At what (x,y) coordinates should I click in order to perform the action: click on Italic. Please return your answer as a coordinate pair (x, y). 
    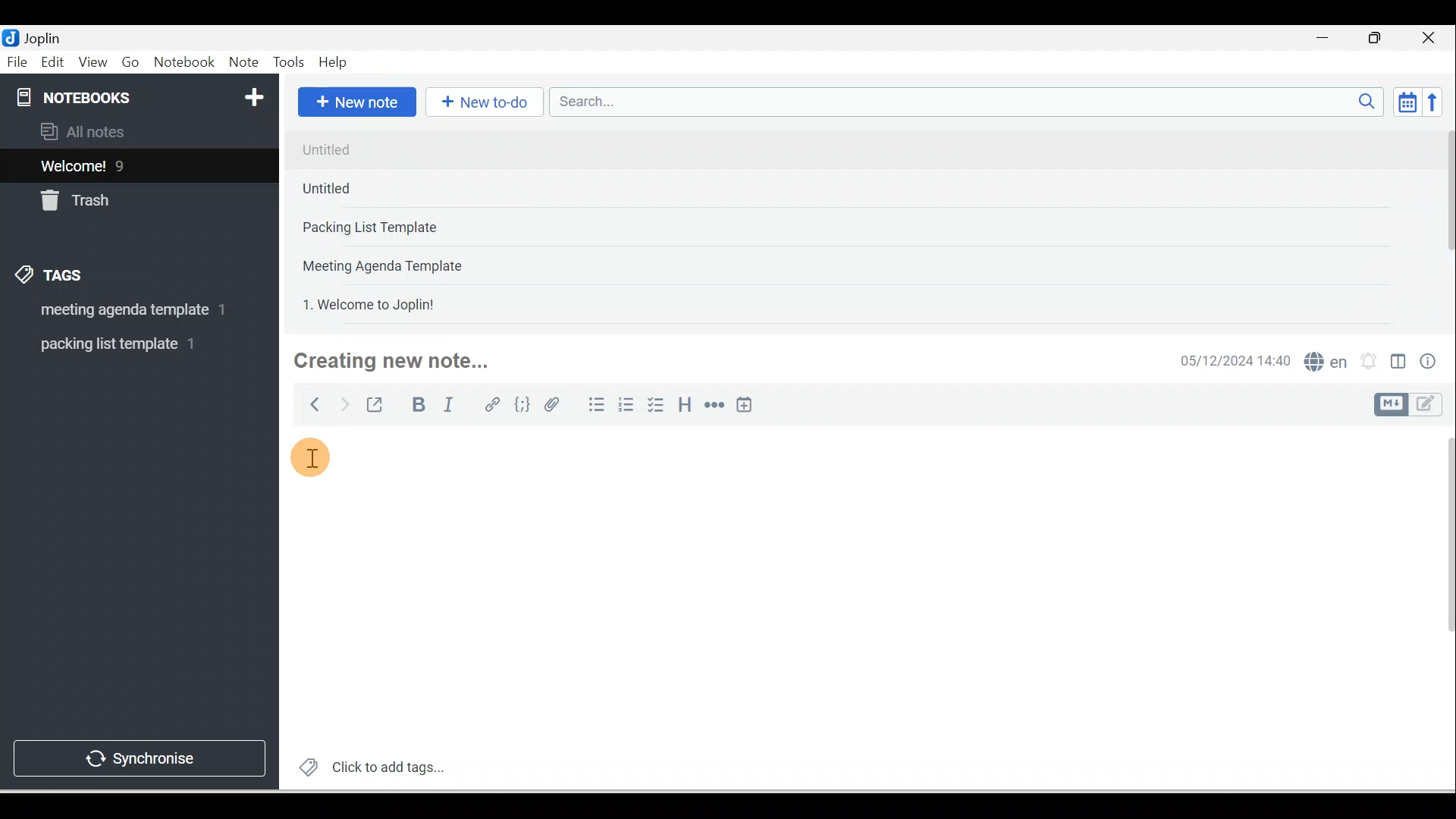
    Looking at the image, I should click on (451, 407).